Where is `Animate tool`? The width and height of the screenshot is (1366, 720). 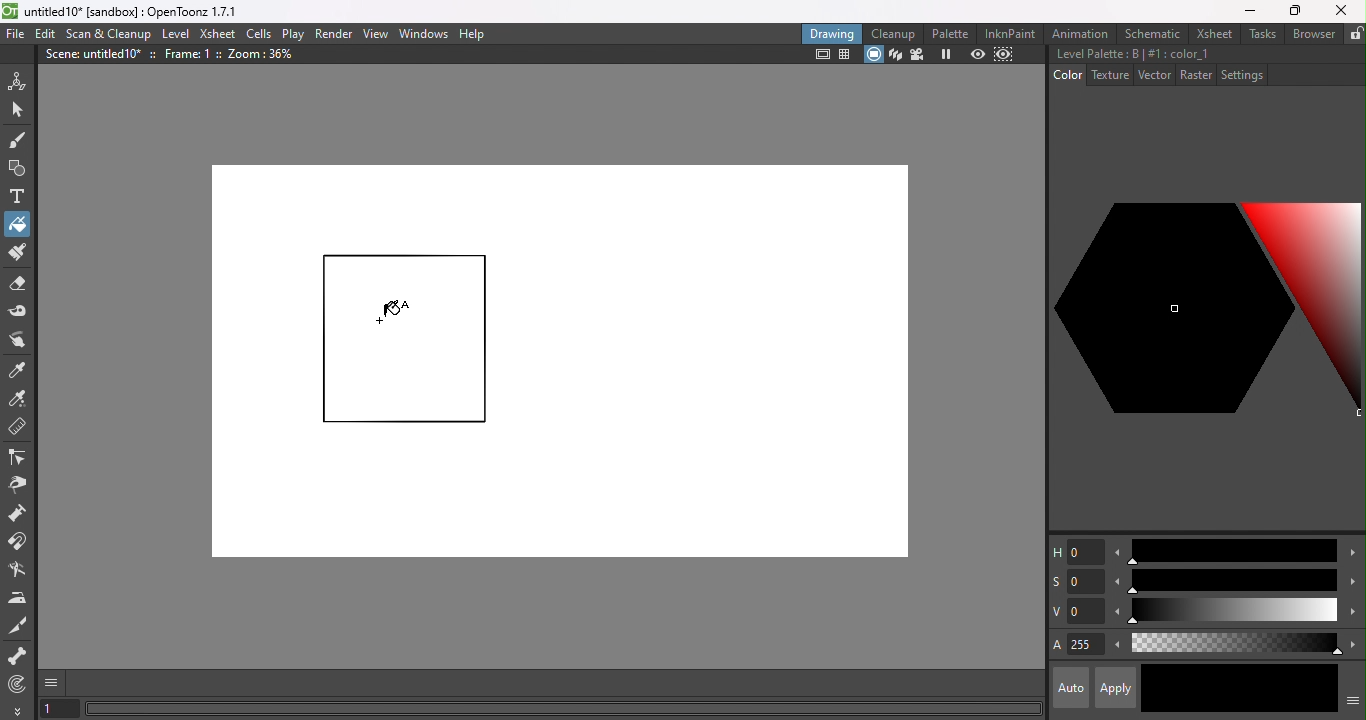 Animate tool is located at coordinates (20, 80).